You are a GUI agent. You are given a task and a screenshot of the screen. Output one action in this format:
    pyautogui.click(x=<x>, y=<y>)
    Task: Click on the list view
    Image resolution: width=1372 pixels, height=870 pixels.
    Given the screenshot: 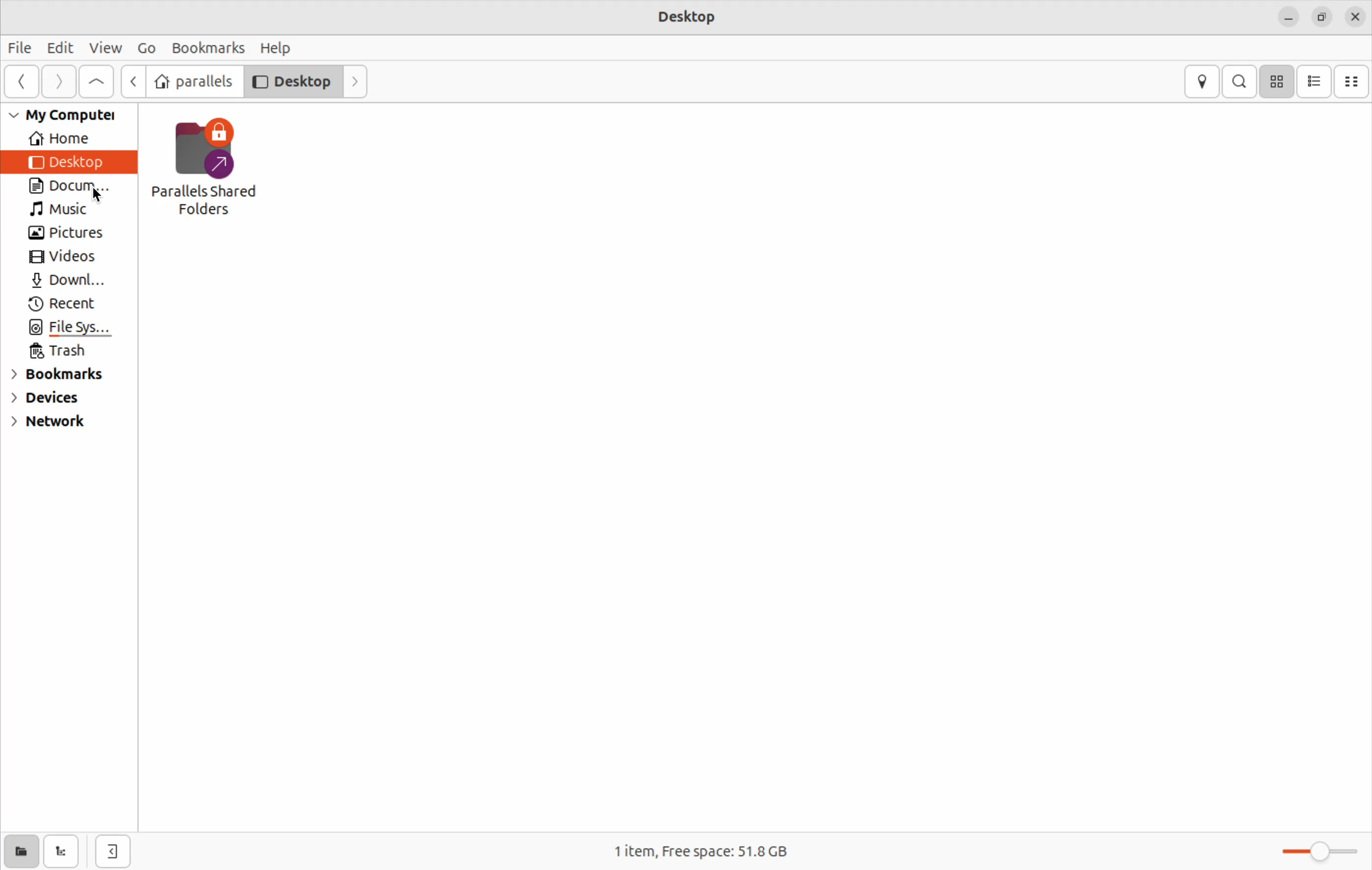 What is the action you would take?
    pyautogui.click(x=1314, y=80)
    